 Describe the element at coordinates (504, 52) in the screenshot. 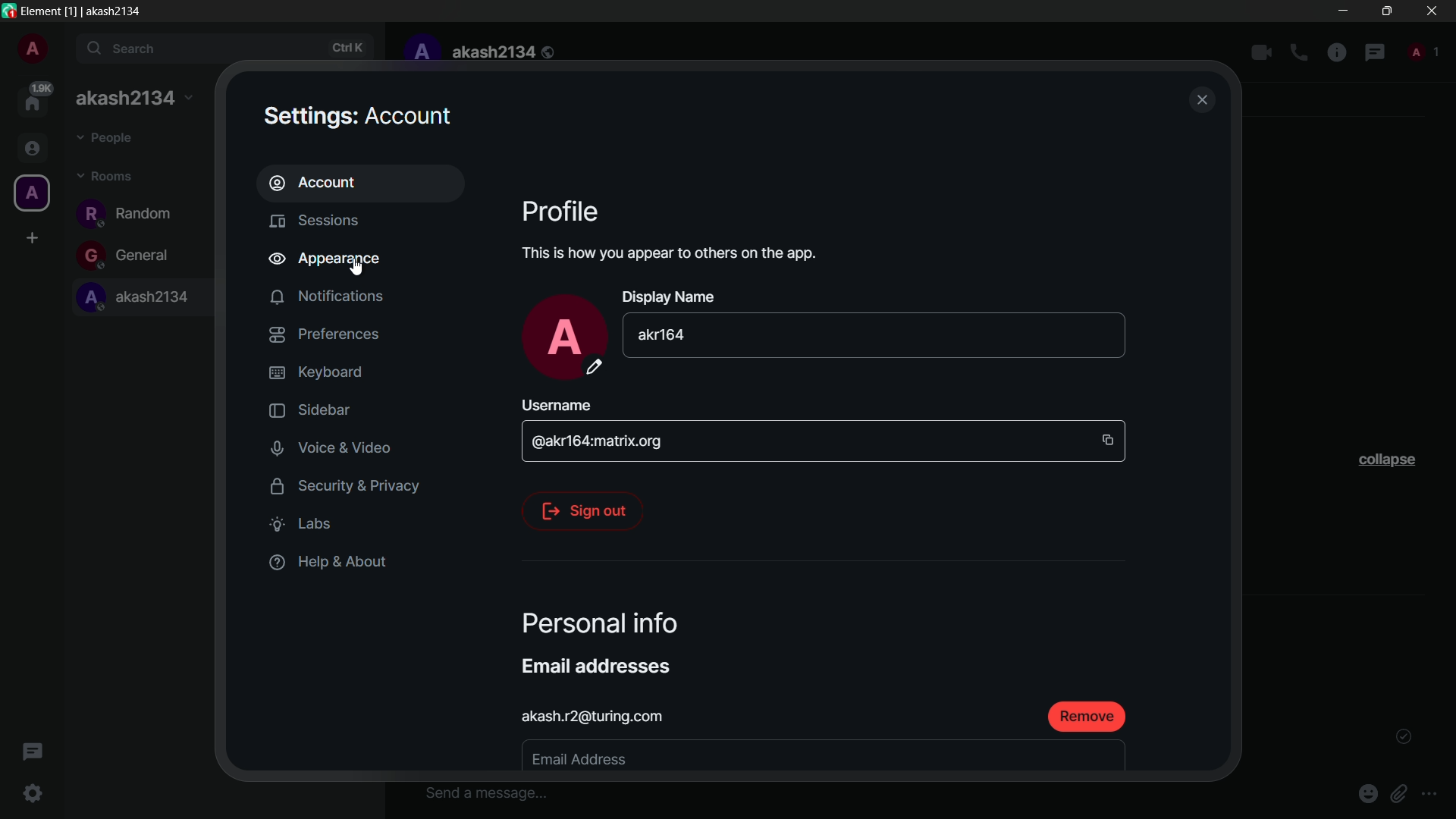

I see `akash2134` at that location.